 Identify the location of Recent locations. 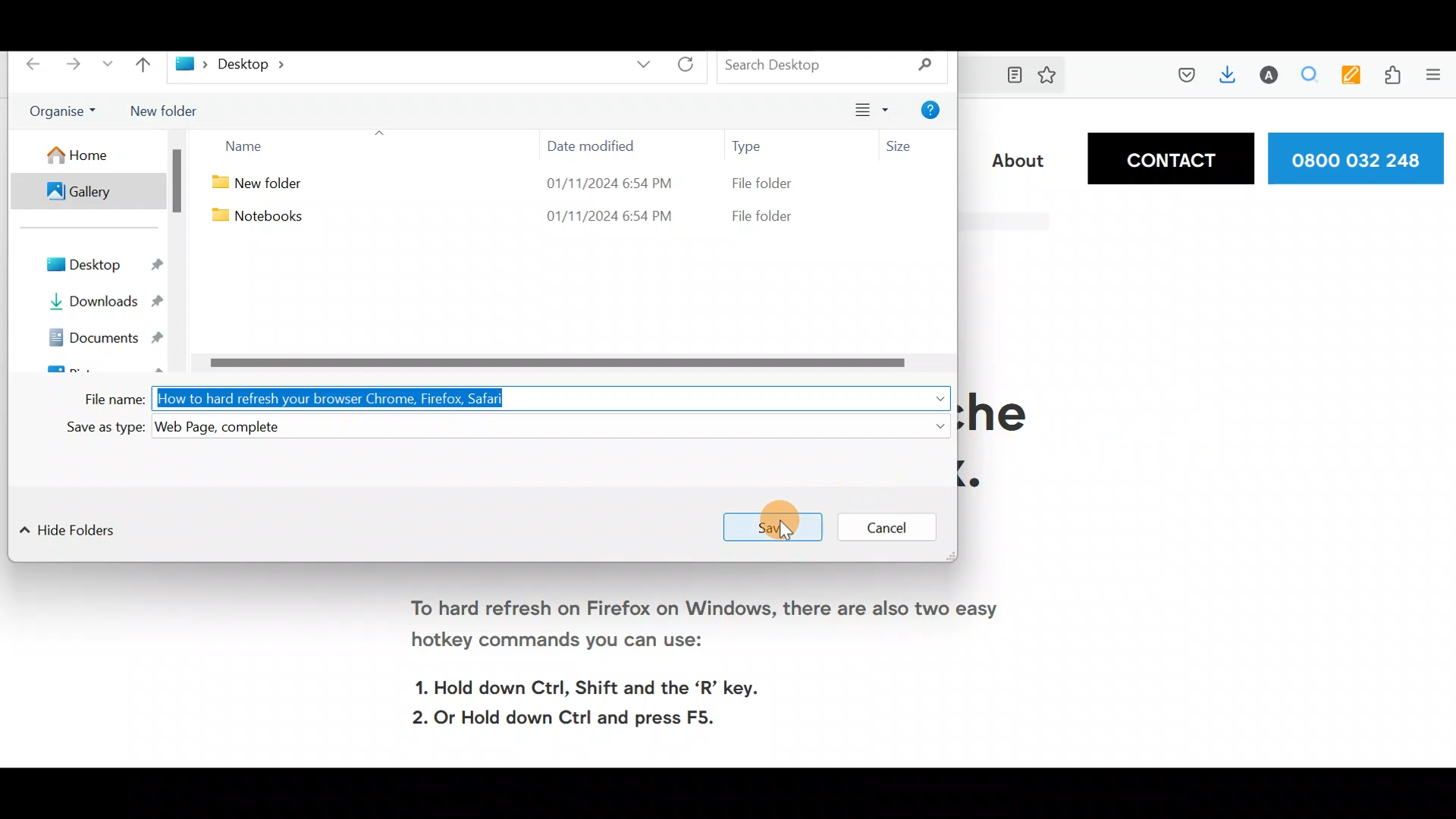
(111, 67).